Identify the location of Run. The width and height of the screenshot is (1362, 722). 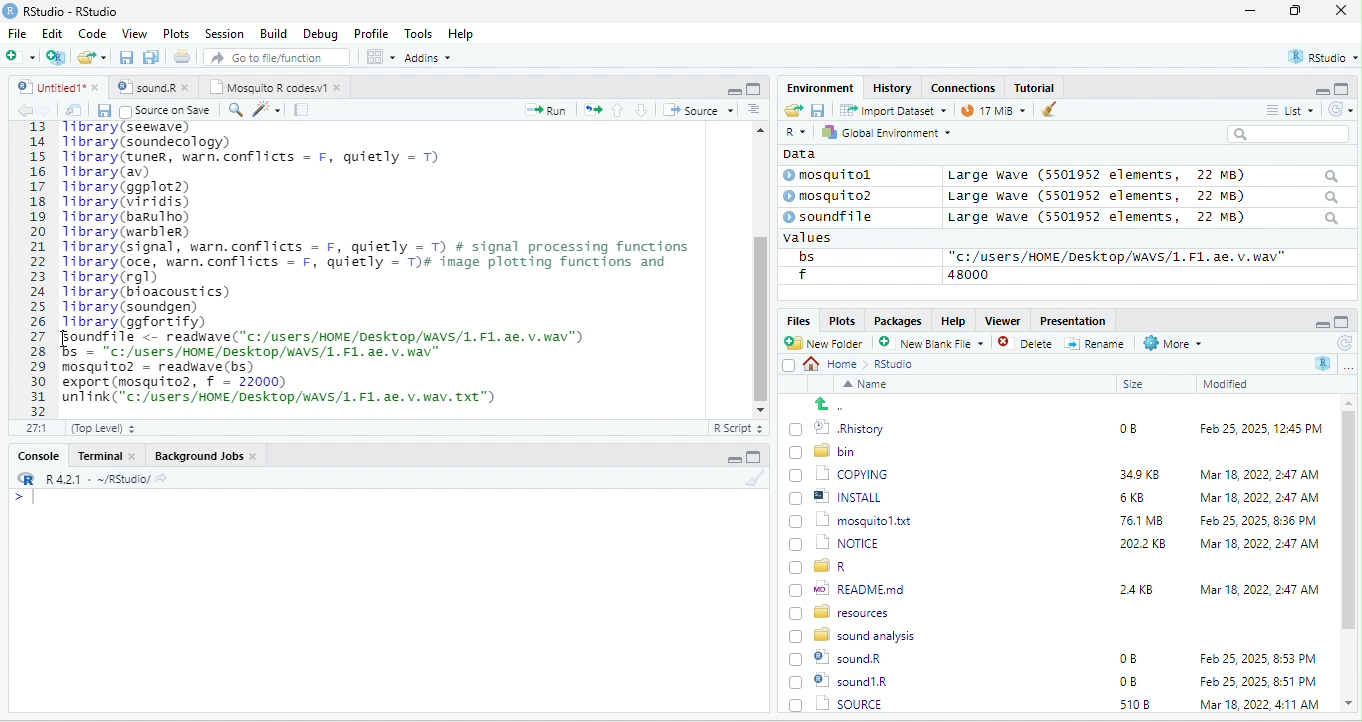
(542, 110).